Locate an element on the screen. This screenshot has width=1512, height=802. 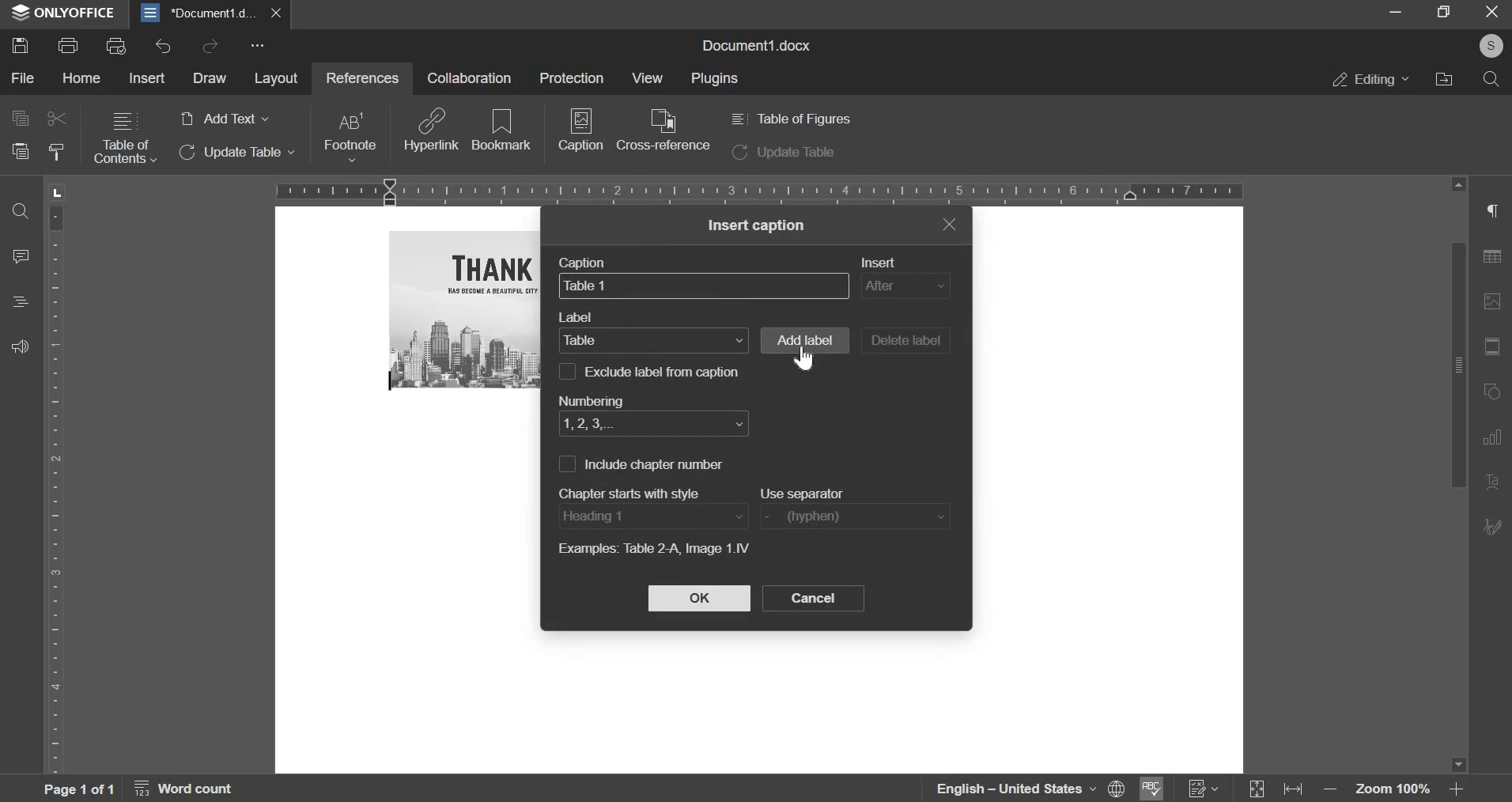
undo is located at coordinates (163, 47).